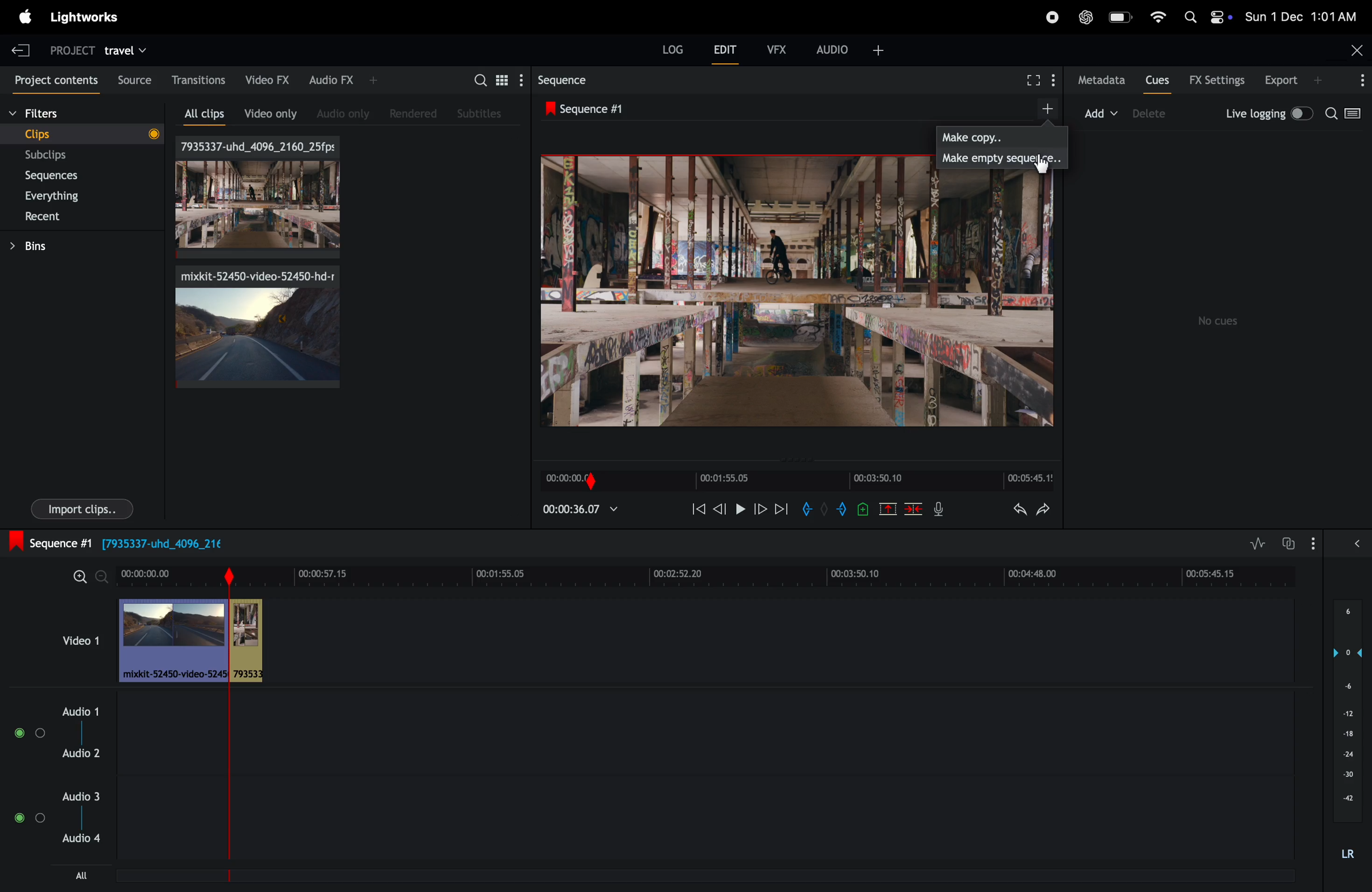 The height and width of the screenshot is (892, 1372). What do you see at coordinates (781, 508) in the screenshot?
I see `next frame` at bounding box center [781, 508].